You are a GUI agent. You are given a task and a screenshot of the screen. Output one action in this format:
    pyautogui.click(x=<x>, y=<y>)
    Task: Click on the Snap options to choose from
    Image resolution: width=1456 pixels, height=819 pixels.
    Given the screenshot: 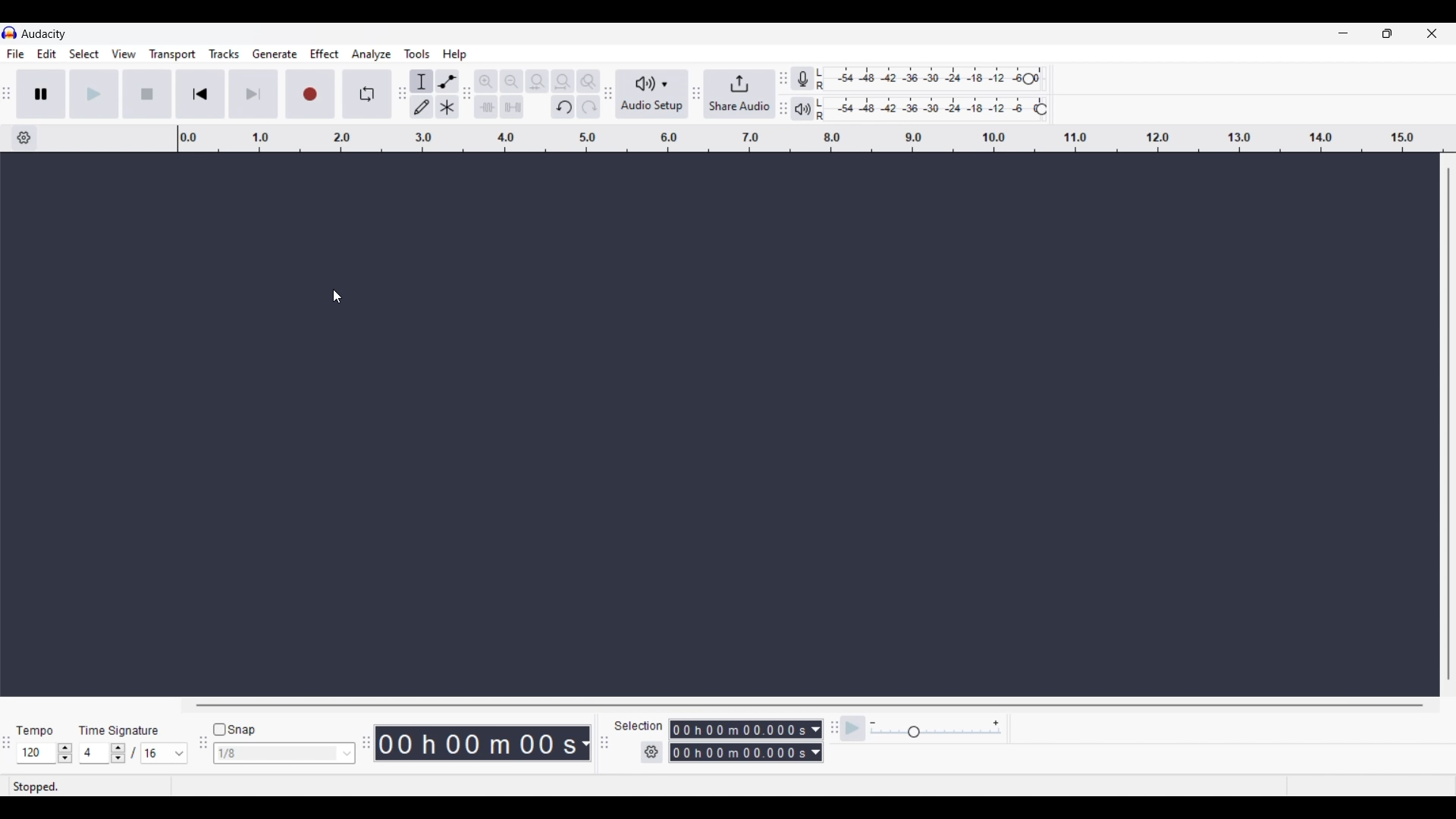 What is the action you would take?
    pyautogui.click(x=348, y=754)
    